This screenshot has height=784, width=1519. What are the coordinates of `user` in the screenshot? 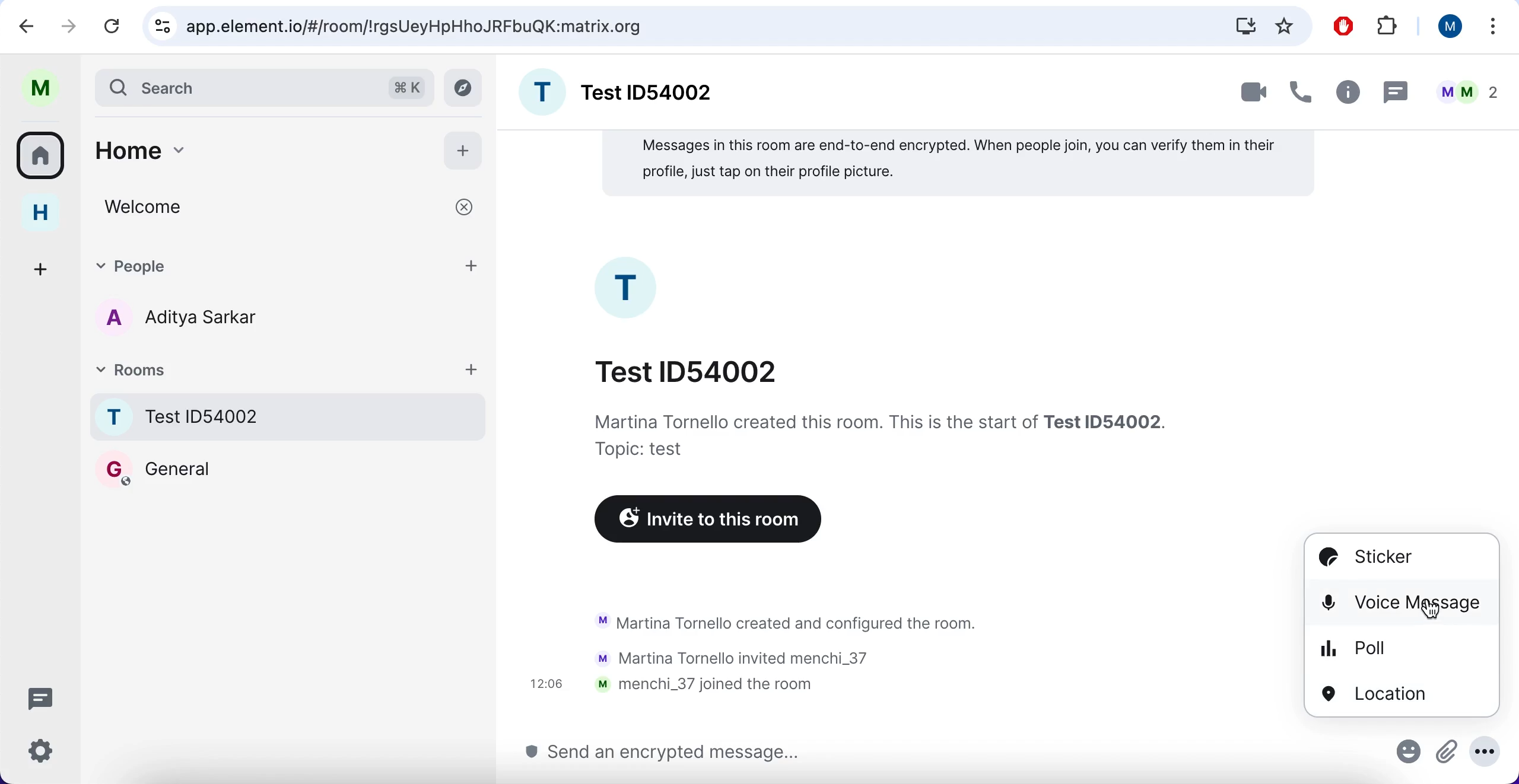 It's located at (1448, 27).